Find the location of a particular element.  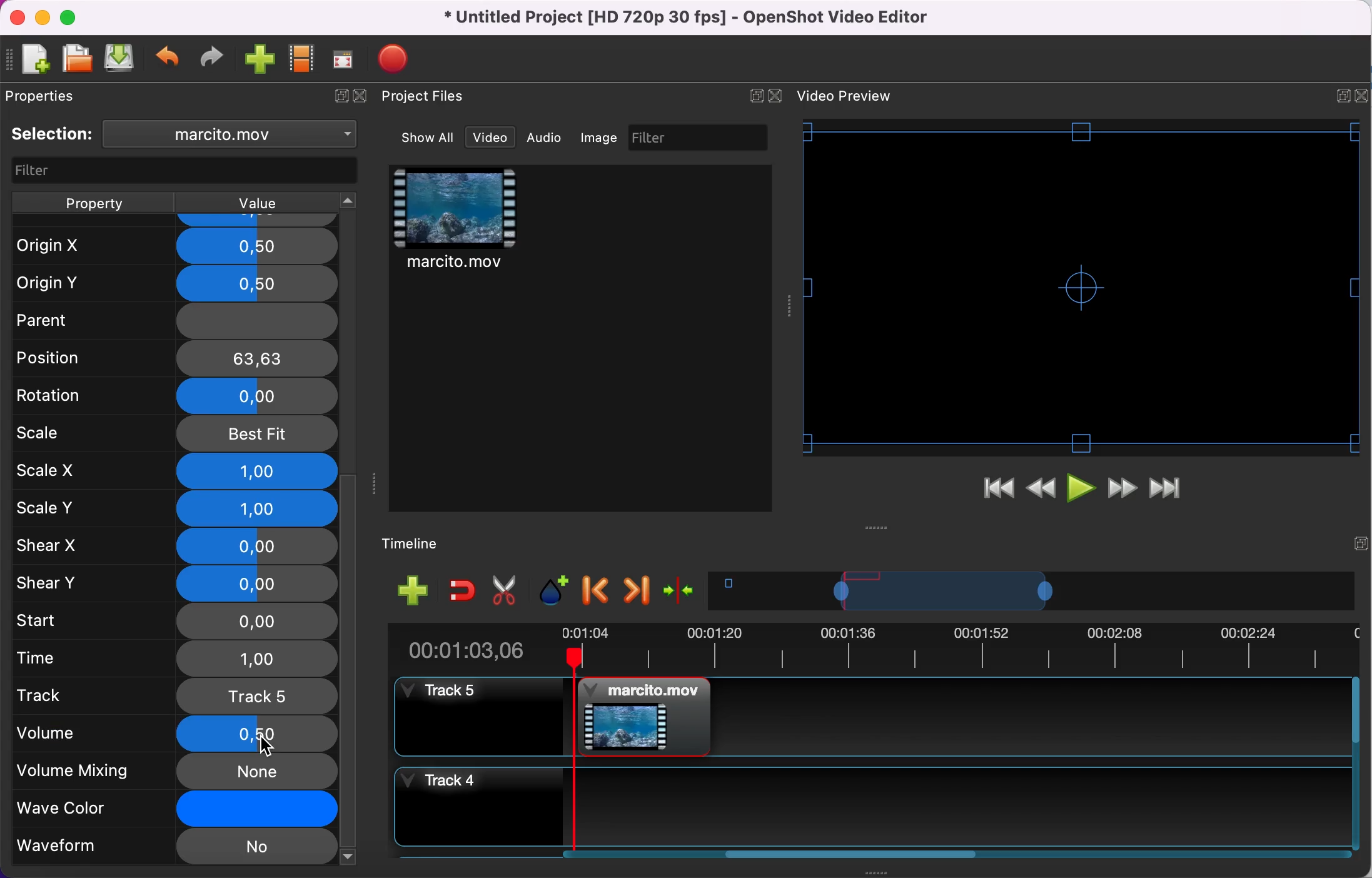

undo is located at coordinates (169, 59).